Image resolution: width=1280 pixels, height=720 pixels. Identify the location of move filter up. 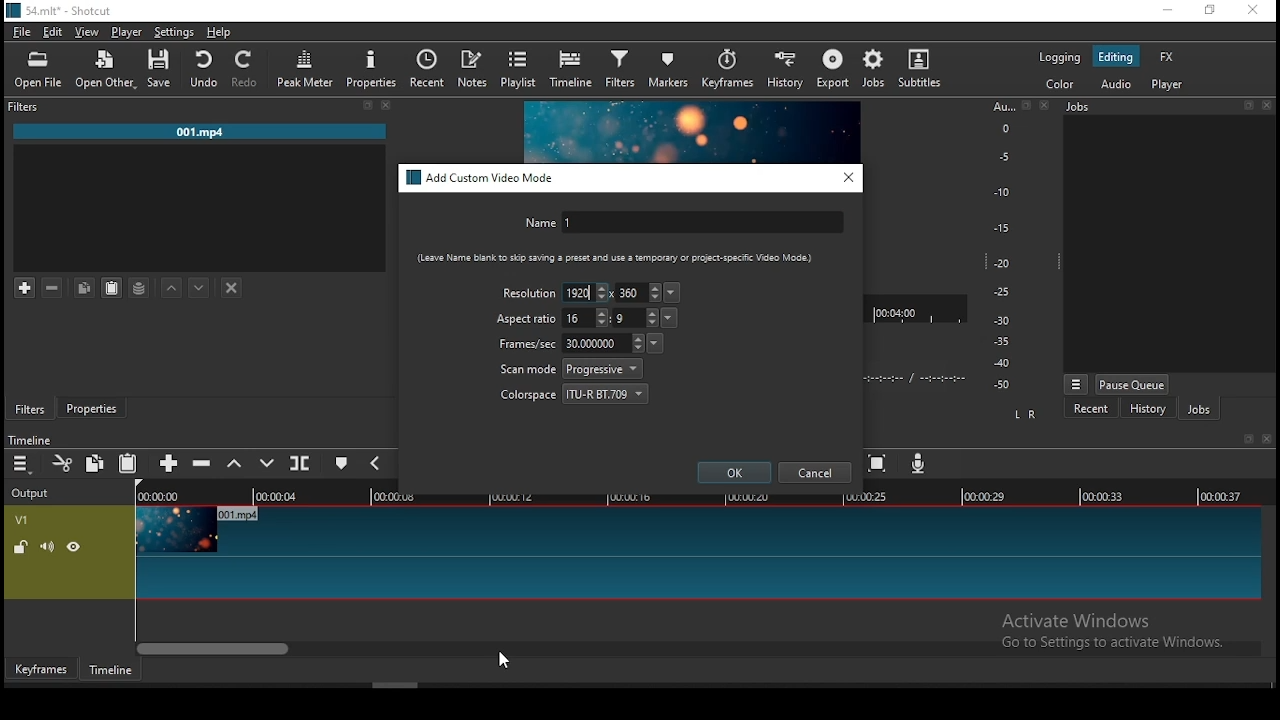
(172, 286).